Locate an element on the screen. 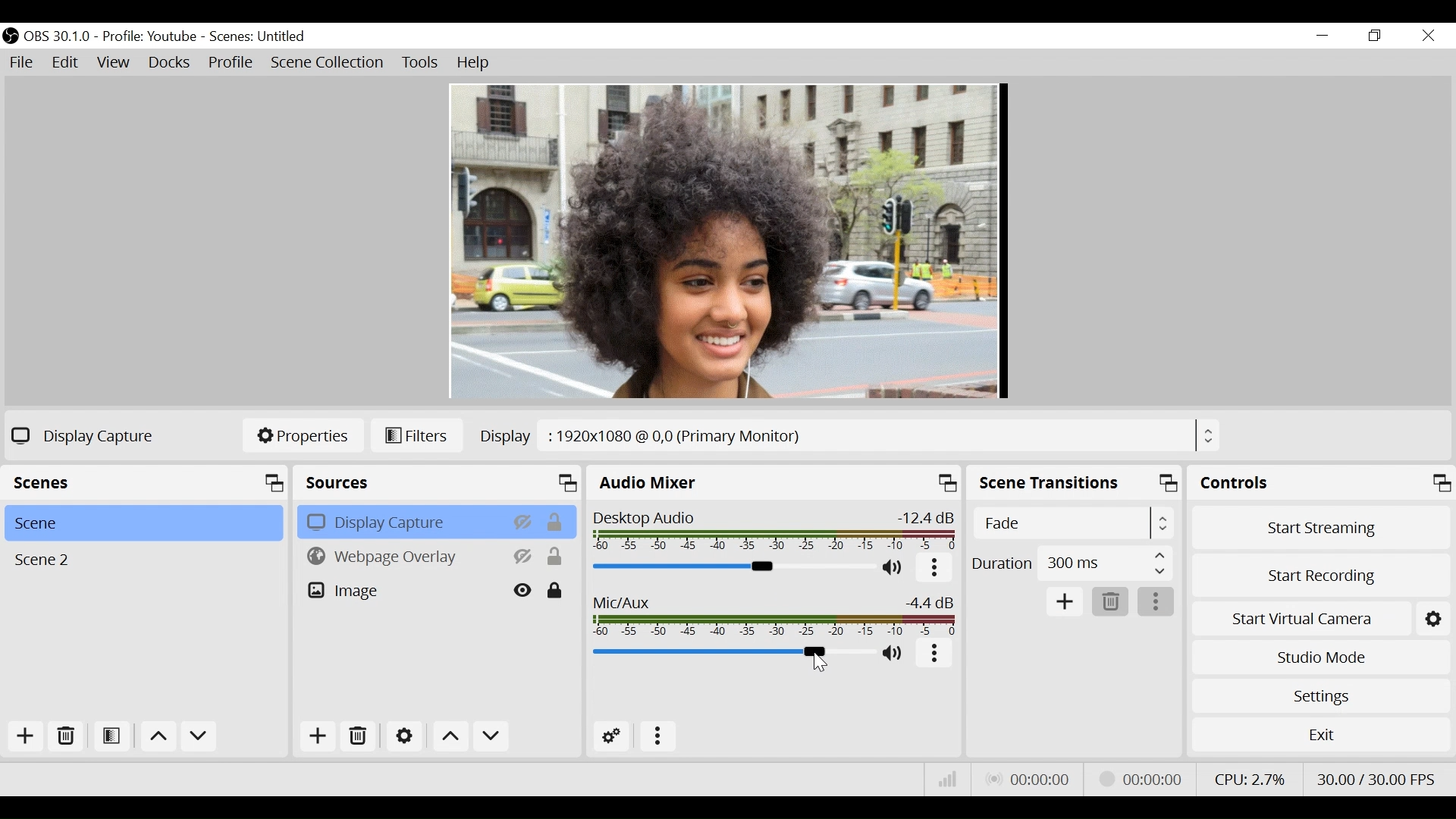 Image resolution: width=1456 pixels, height=819 pixels. Frame Rate Second is located at coordinates (1379, 779).